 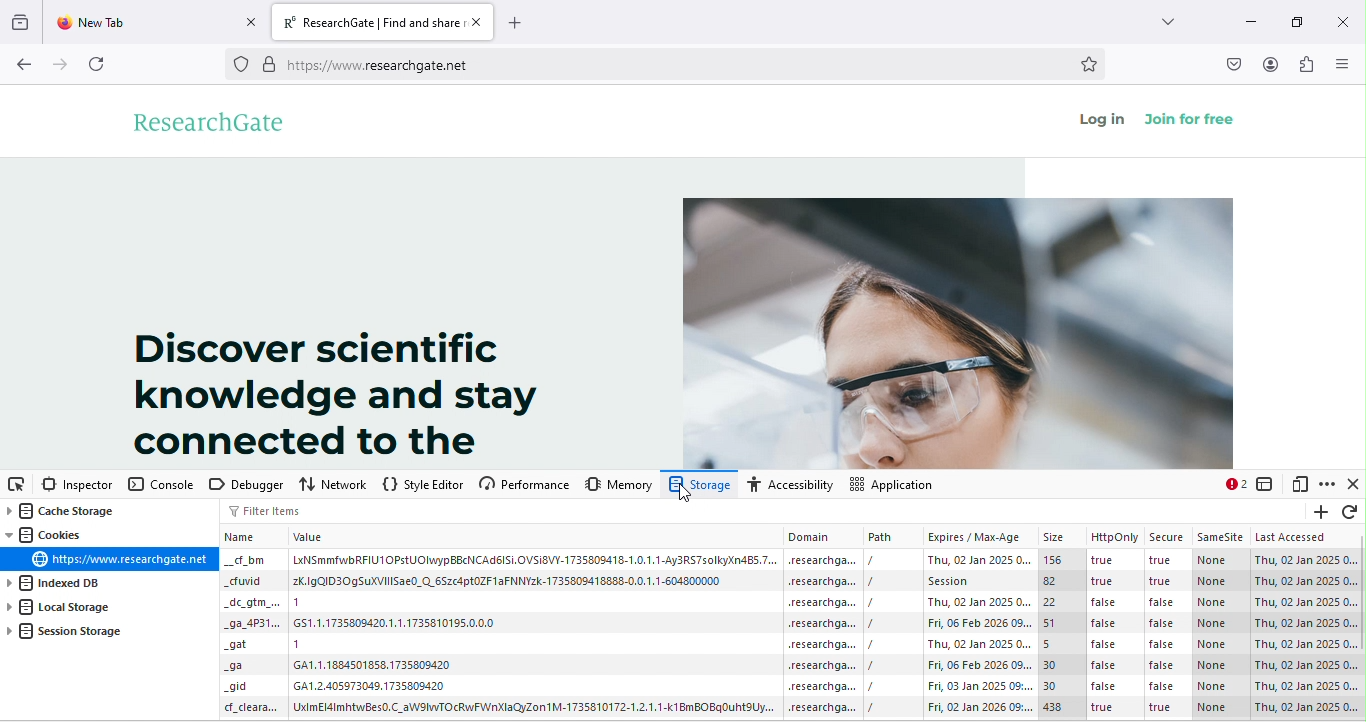 What do you see at coordinates (514, 24) in the screenshot?
I see `add` at bounding box center [514, 24].